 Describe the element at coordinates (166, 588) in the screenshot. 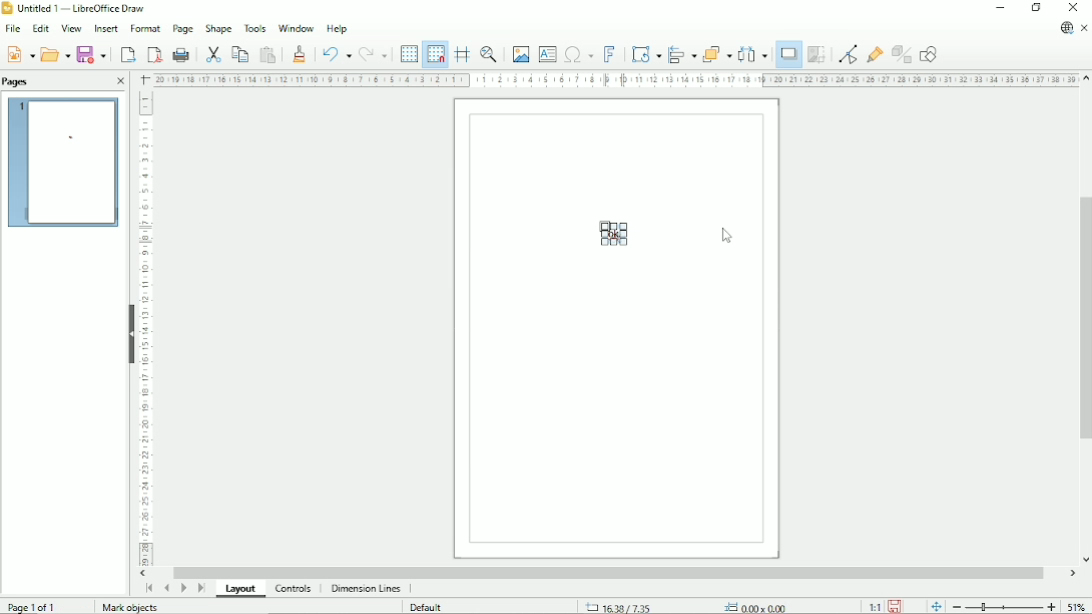

I see `Scroll to previous page` at that location.